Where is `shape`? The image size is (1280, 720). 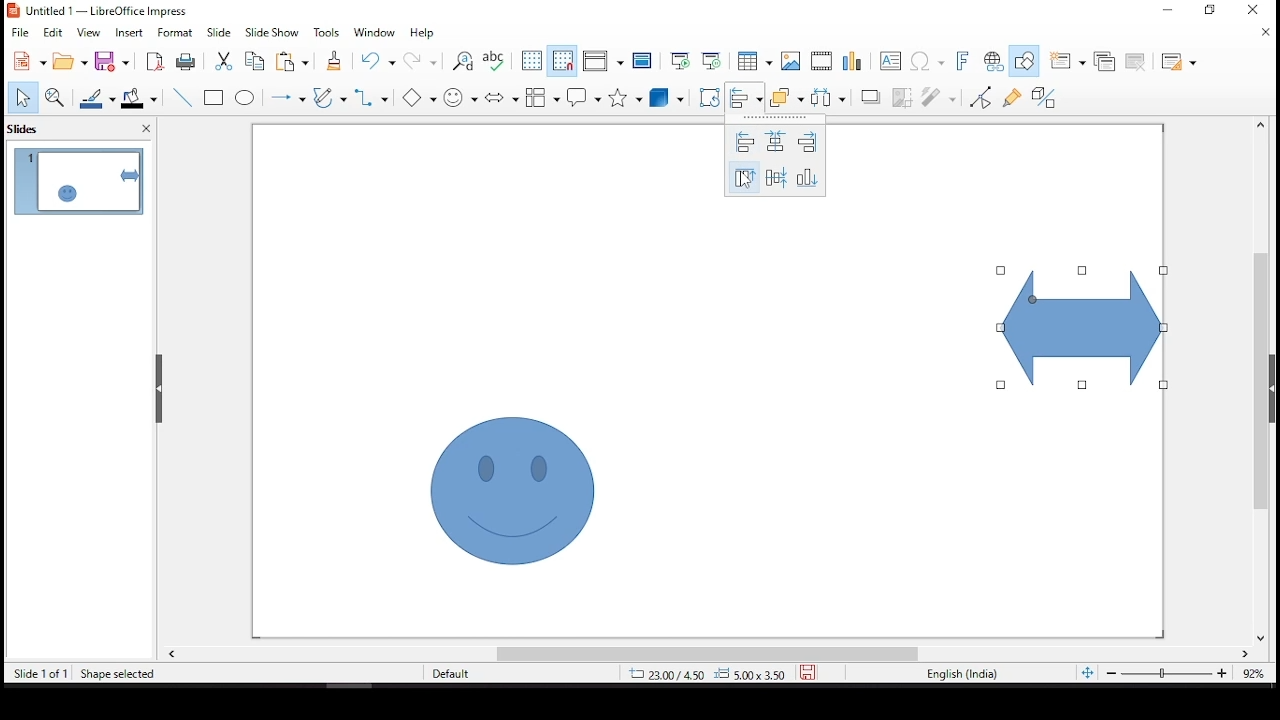 shape is located at coordinates (512, 490).